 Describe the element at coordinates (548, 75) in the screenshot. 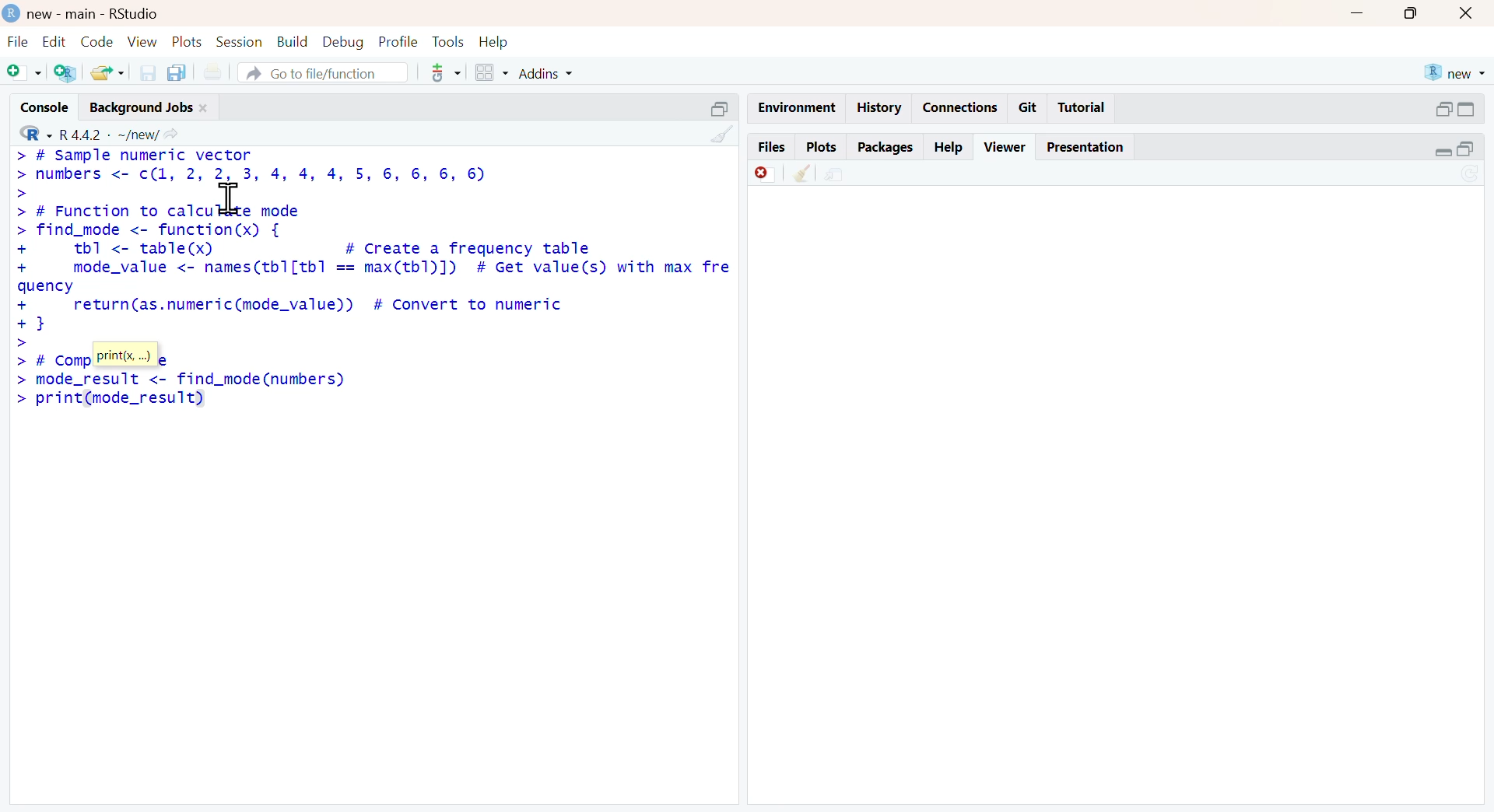

I see `addins` at that location.